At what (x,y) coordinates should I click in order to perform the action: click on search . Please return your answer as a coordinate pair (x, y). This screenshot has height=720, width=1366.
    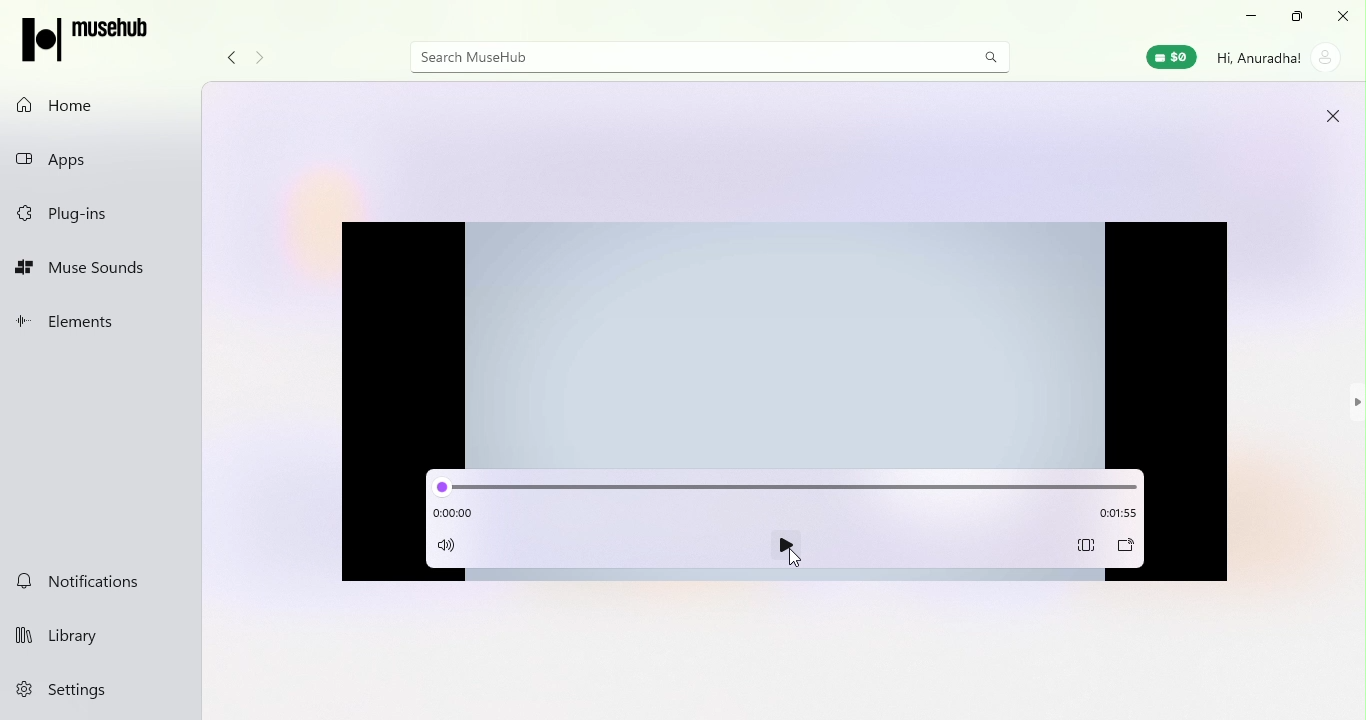
    Looking at the image, I should click on (994, 58).